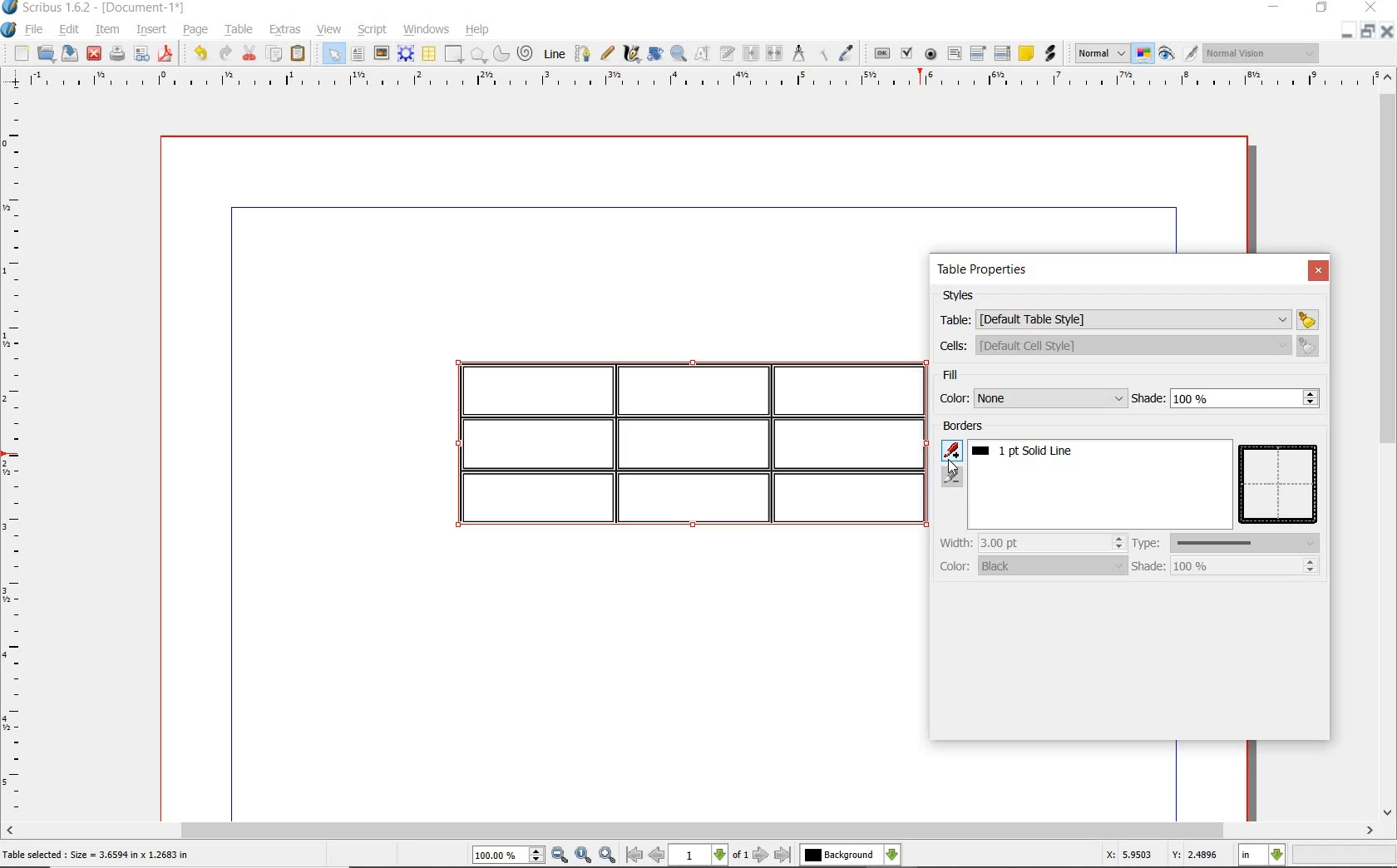  What do you see at coordinates (1266, 55) in the screenshot?
I see `visual appearance of the display` at bounding box center [1266, 55].